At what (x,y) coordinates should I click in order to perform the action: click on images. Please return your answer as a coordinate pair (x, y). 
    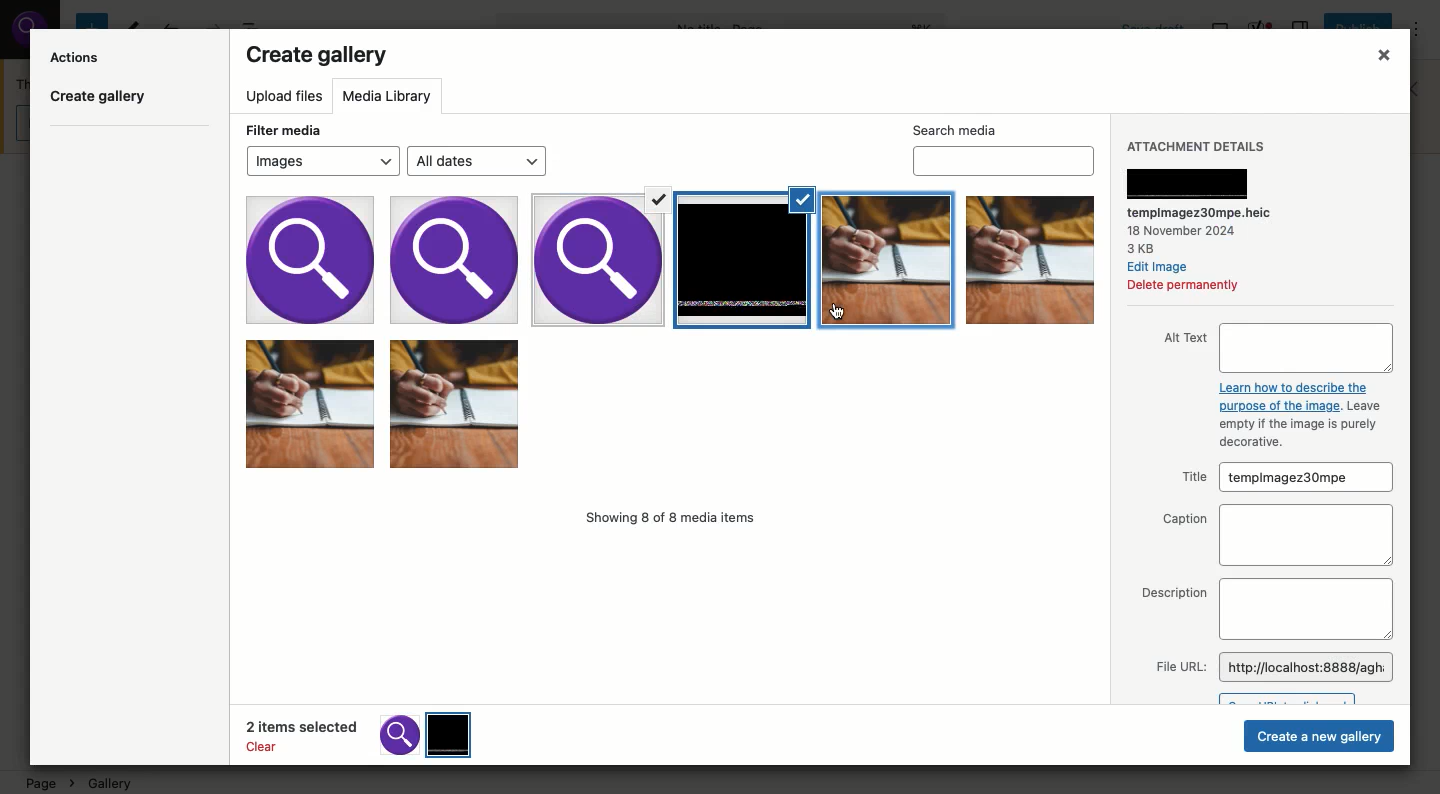
    Looking at the image, I should click on (379, 258).